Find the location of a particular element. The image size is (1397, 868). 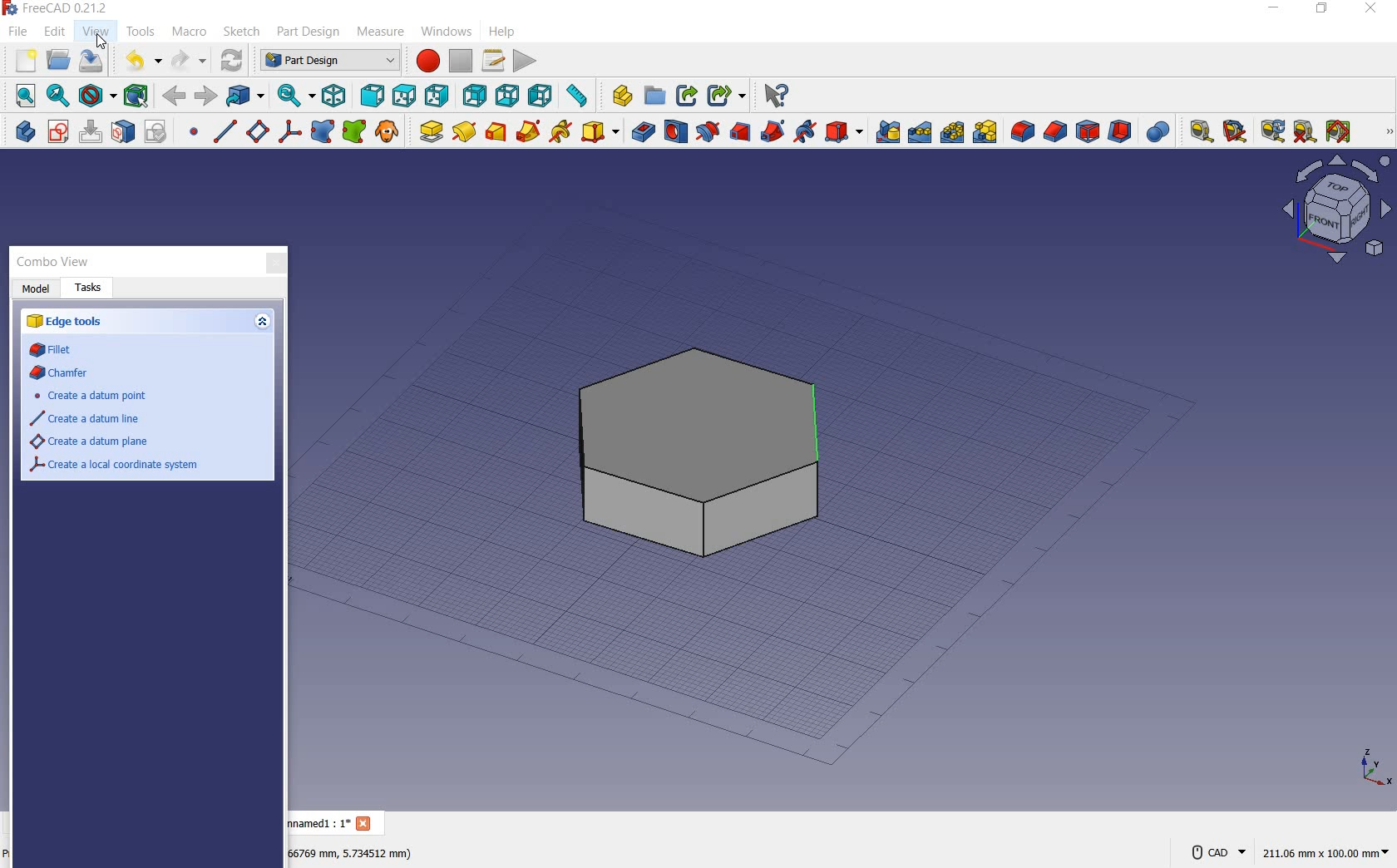

macro is located at coordinates (190, 32).